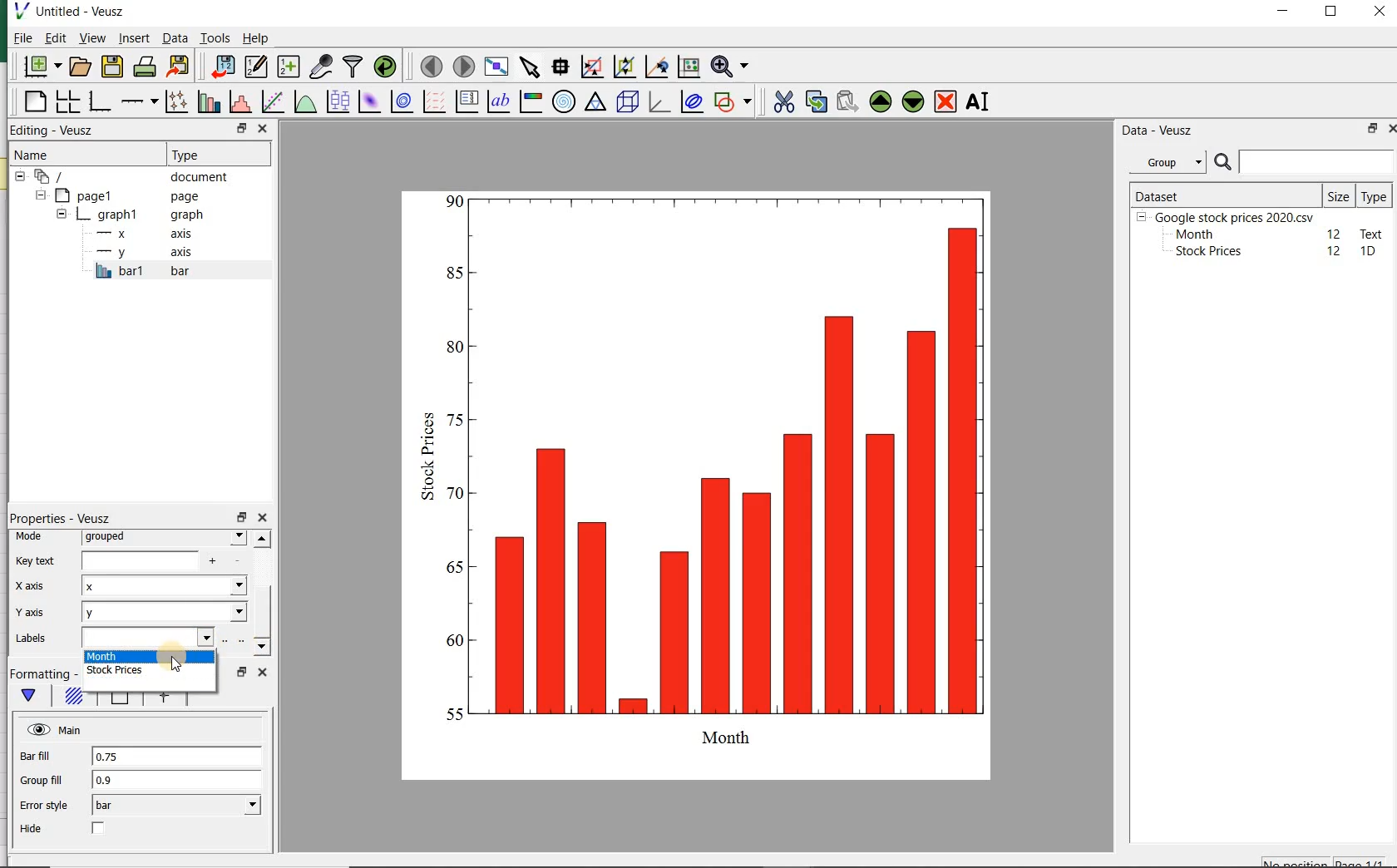 This screenshot has width=1397, height=868. Describe the element at coordinates (141, 560) in the screenshot. I see `input field` at that location.